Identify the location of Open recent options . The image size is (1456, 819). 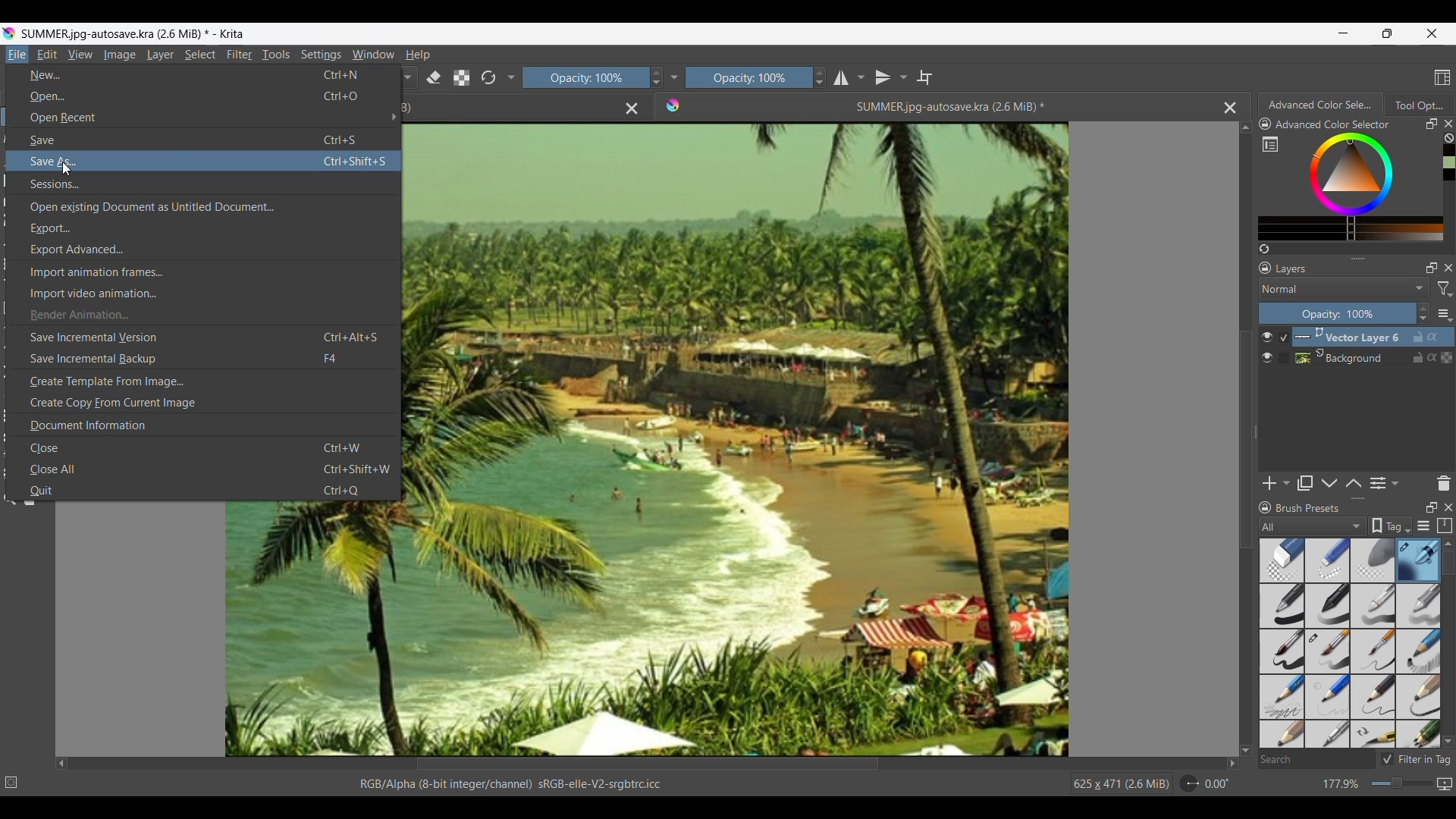
(206, 118).